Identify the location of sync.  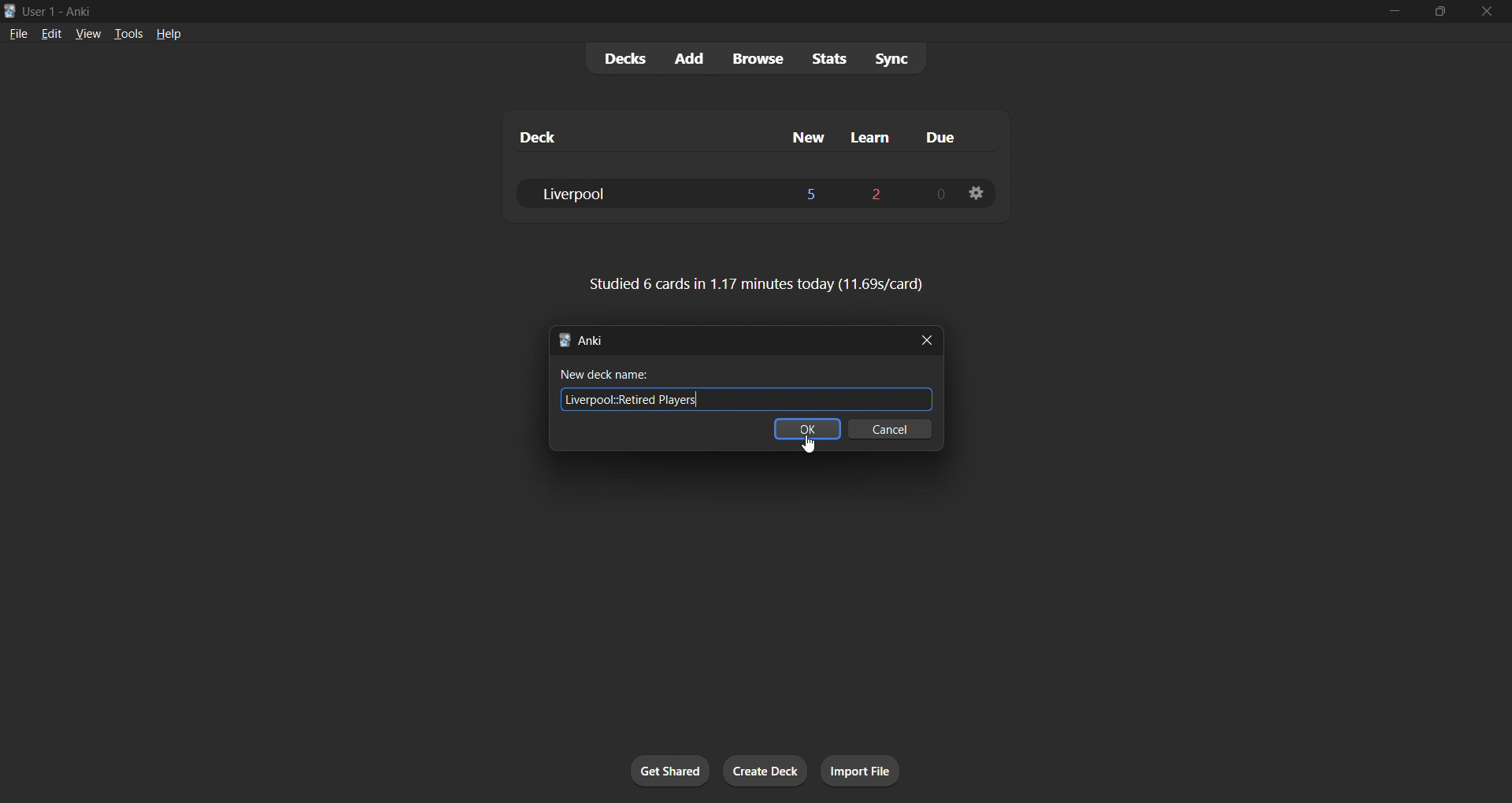
(897, 56).